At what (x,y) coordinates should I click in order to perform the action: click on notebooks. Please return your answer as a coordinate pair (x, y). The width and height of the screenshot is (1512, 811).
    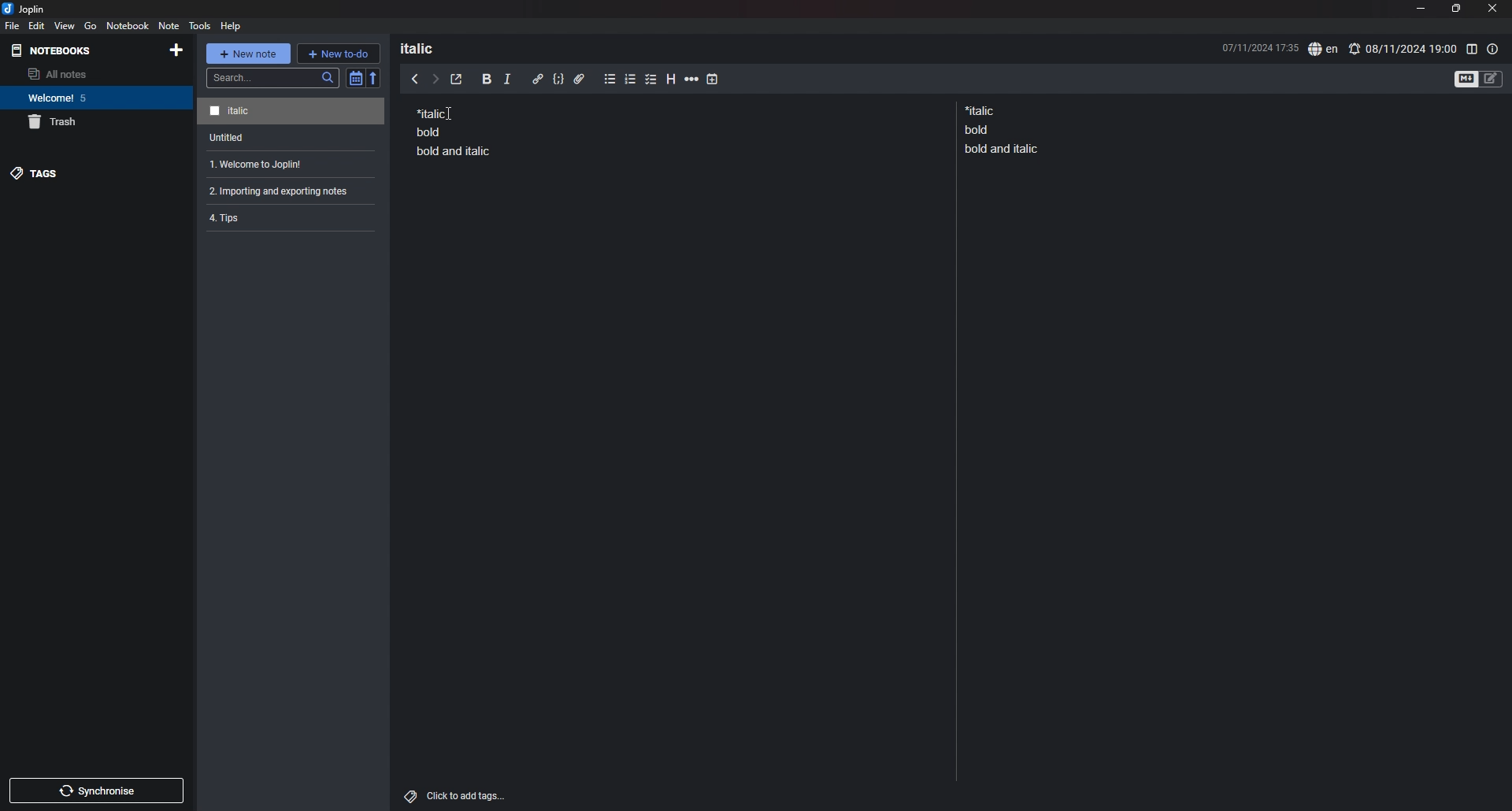
    Looking at the image, I should click on (55, 50).